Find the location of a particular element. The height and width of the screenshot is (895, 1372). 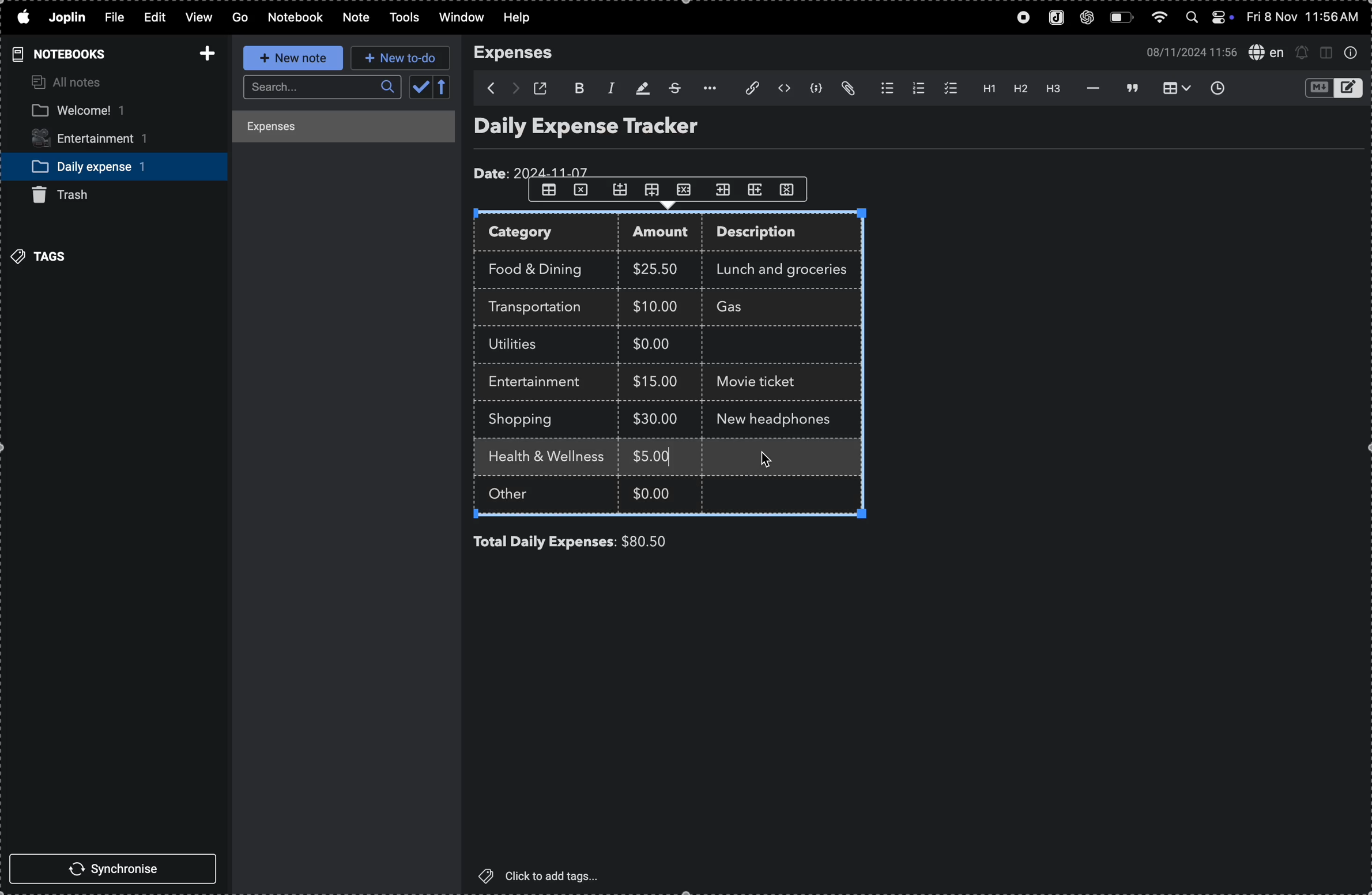

daily expense notebook is located at coordinates (105, 166).